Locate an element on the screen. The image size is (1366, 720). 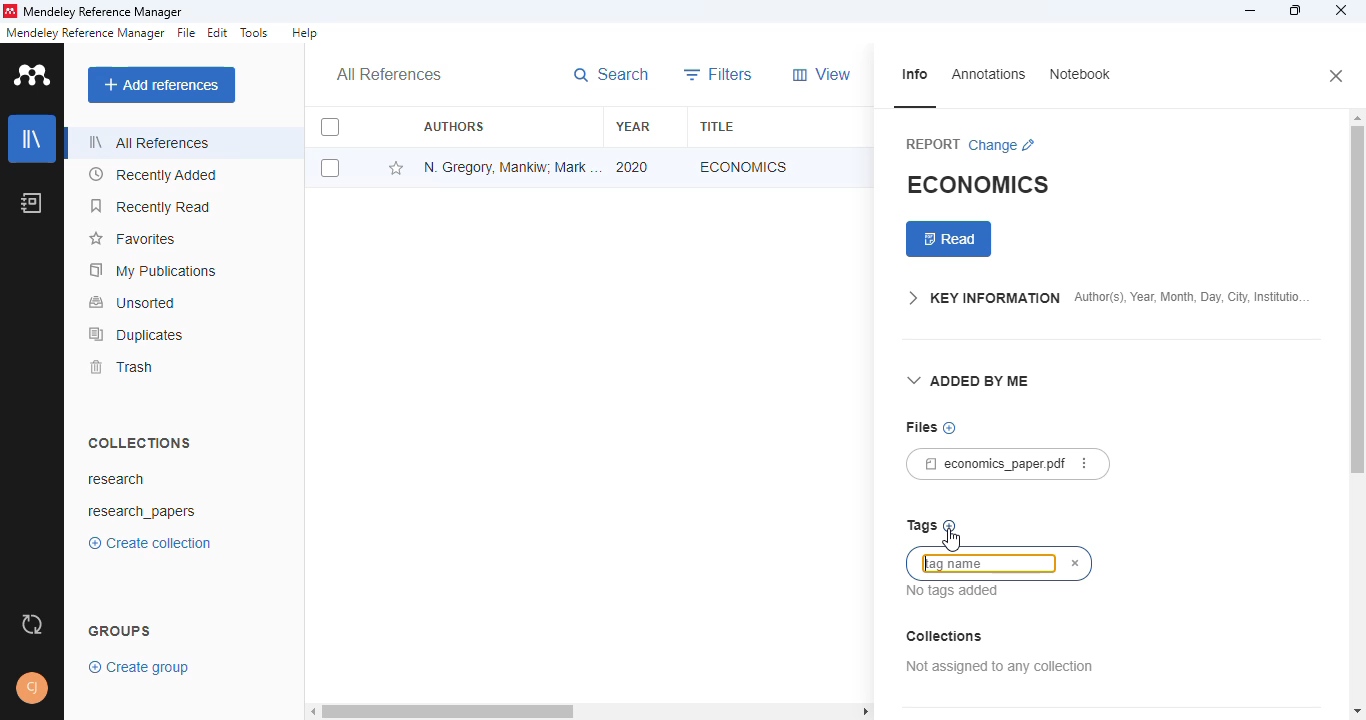
select is located at coordinates (330, 128).